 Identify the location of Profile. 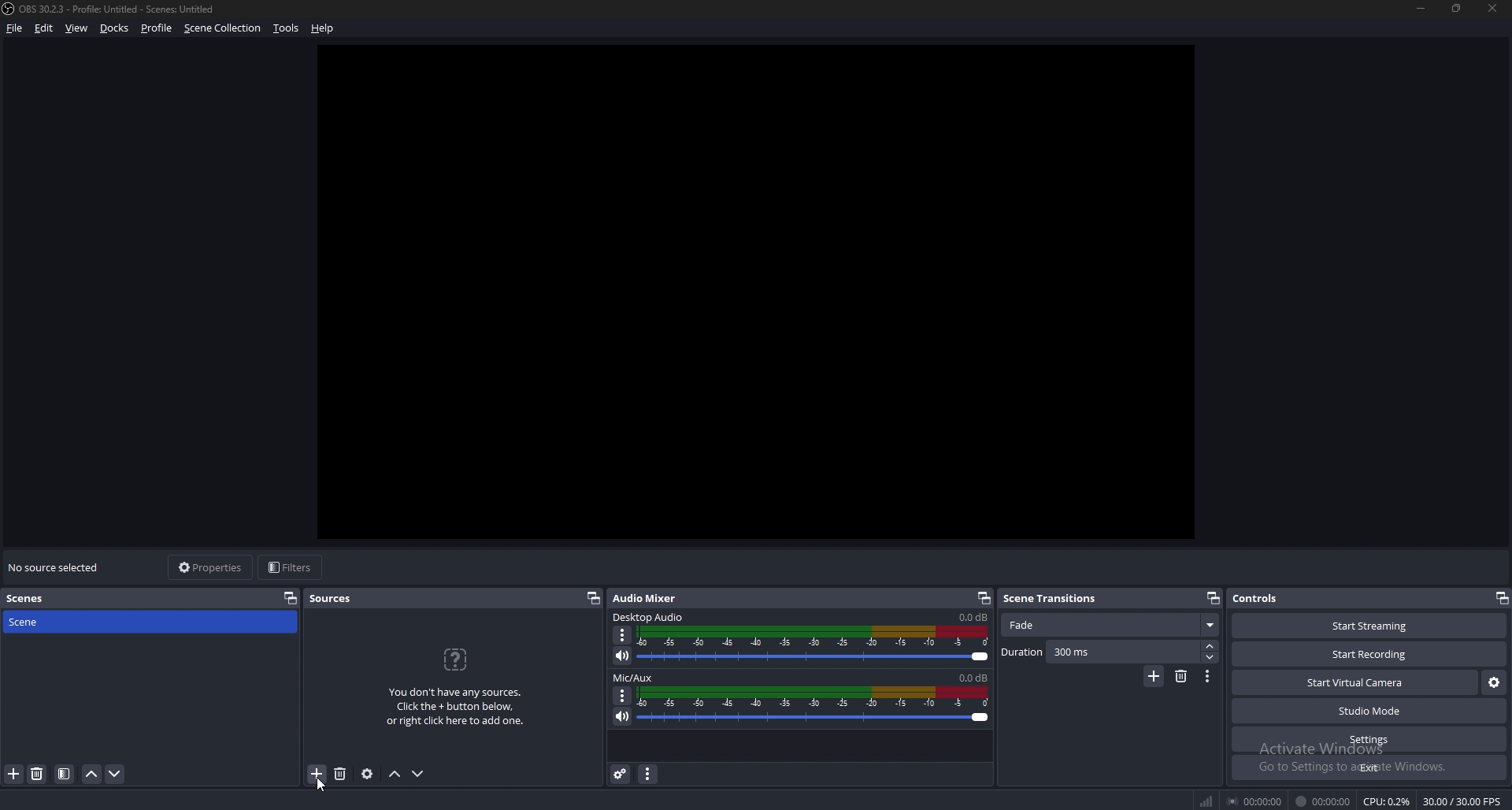
(156, 28).